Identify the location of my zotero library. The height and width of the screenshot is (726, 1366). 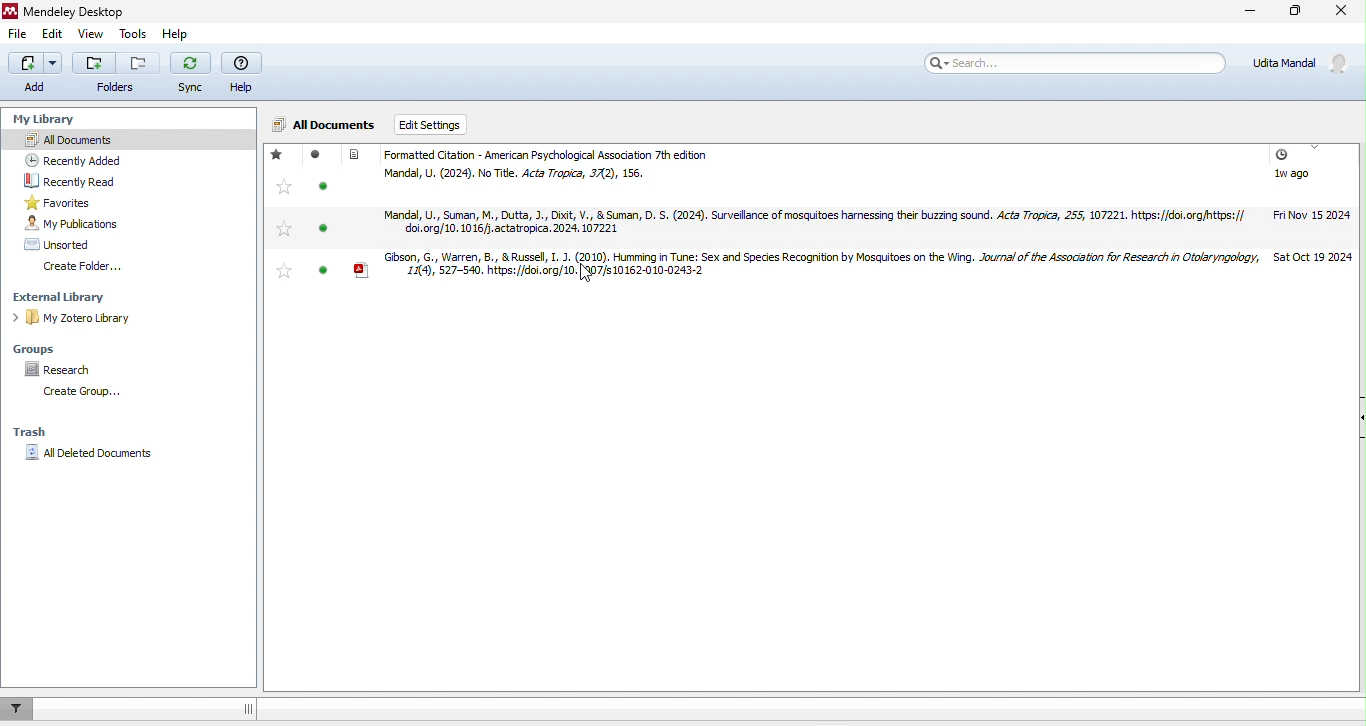
(76, 319).